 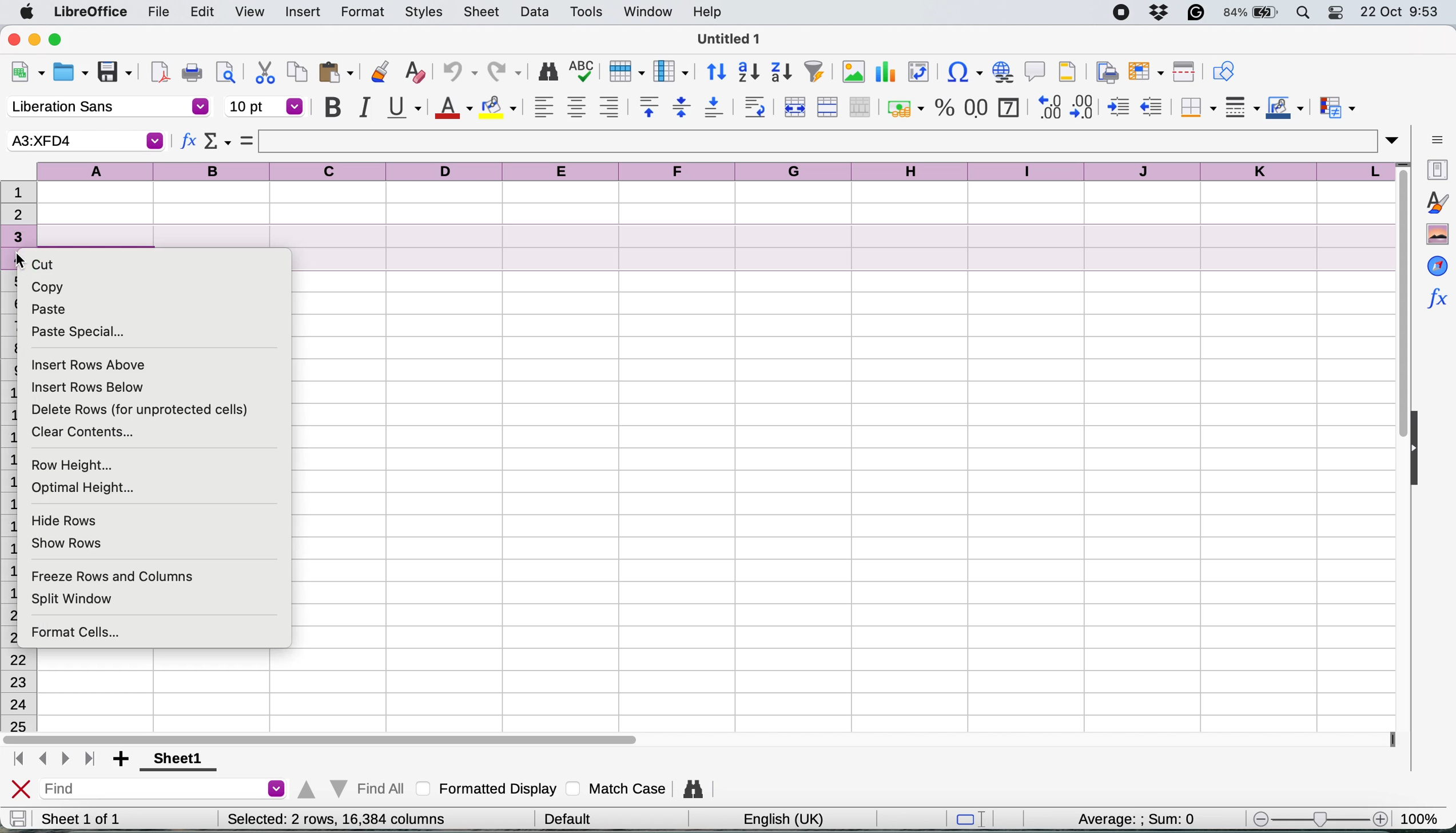 I want to click on export directly as pdf, so click(x=161, y=72).